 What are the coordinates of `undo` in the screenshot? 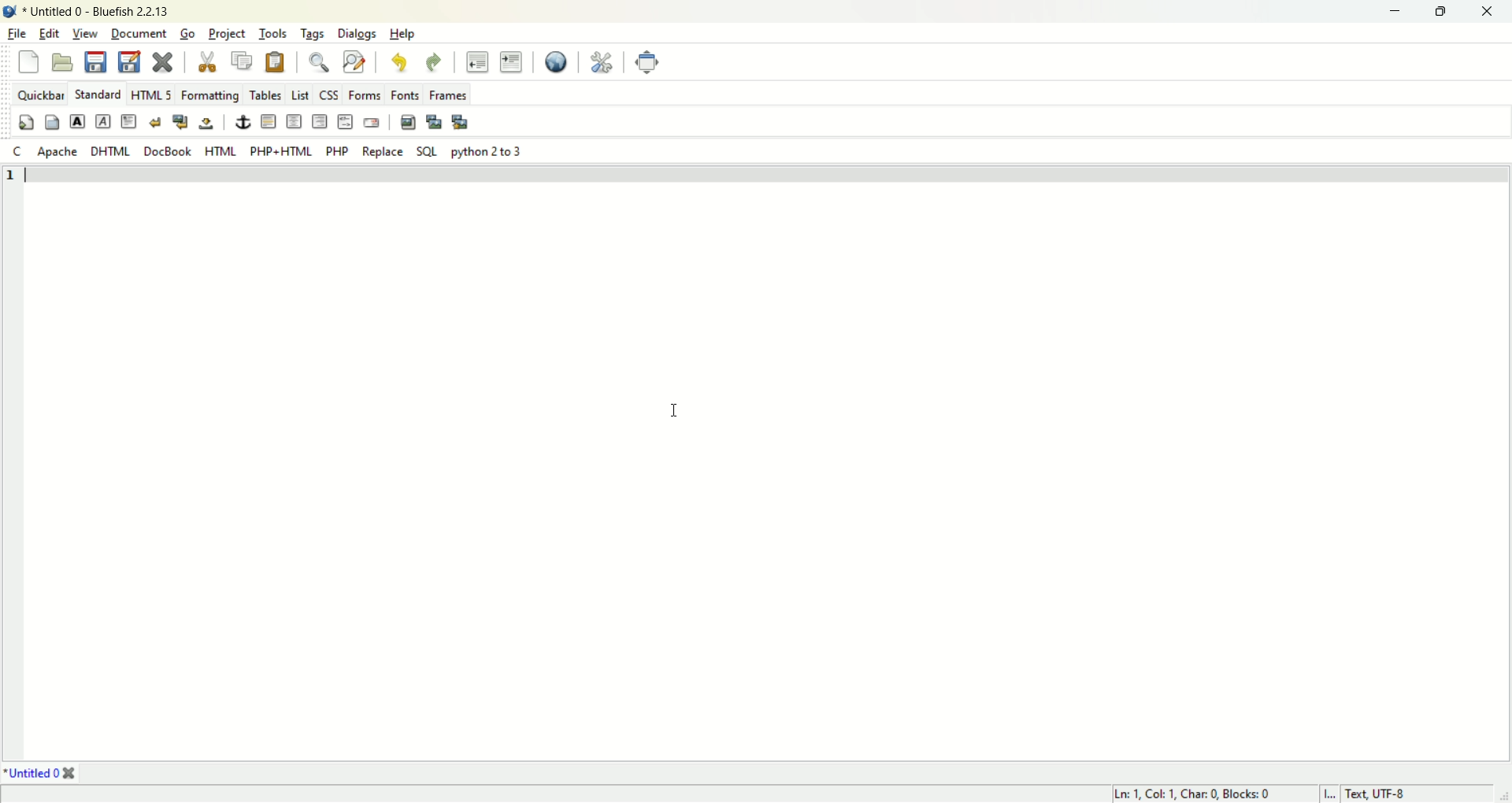 It's located at (398, 62).